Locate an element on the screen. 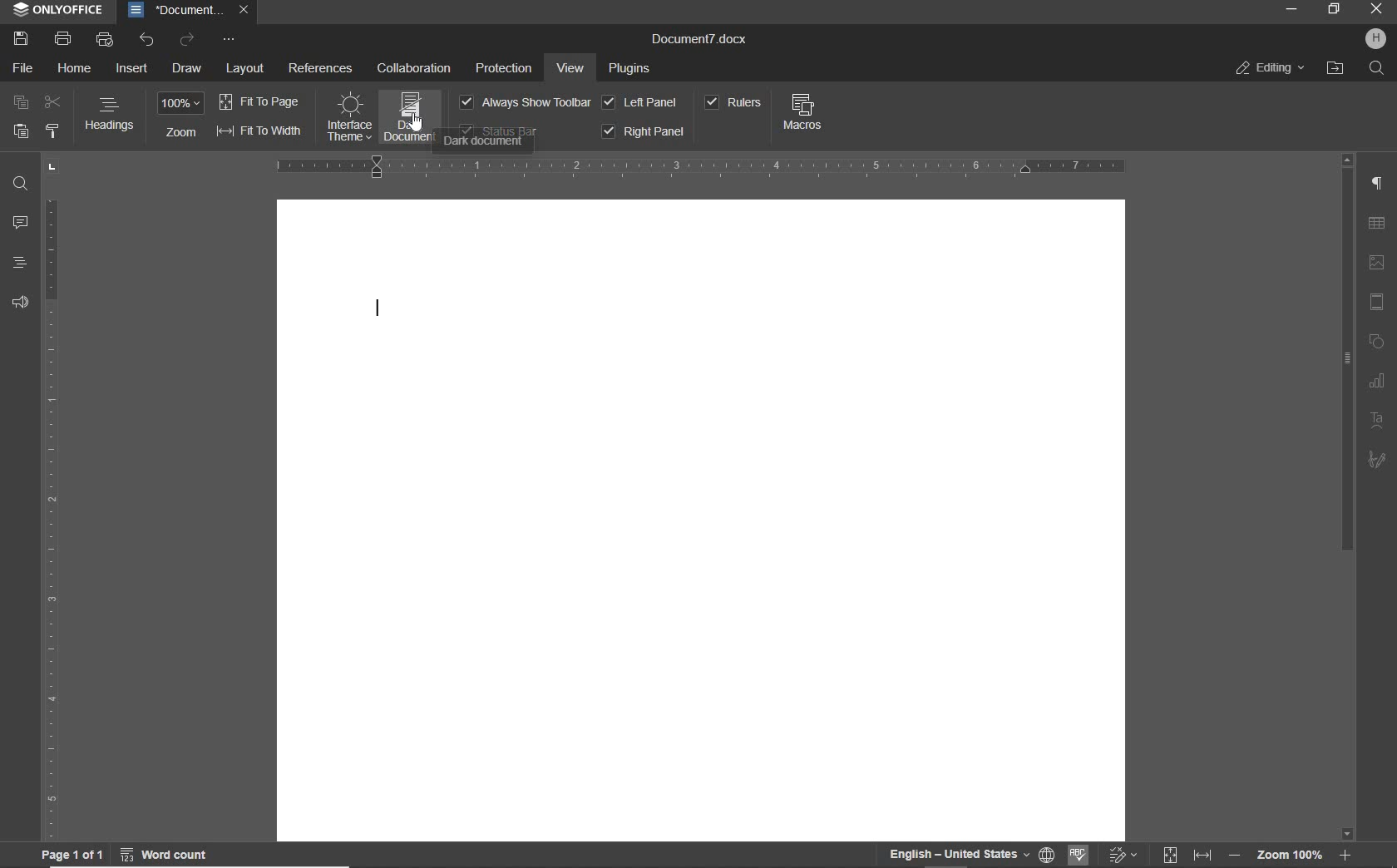 This screenshot has width=1397, height=868. DOCUMENT NAME is located at coordinates (190, 11).